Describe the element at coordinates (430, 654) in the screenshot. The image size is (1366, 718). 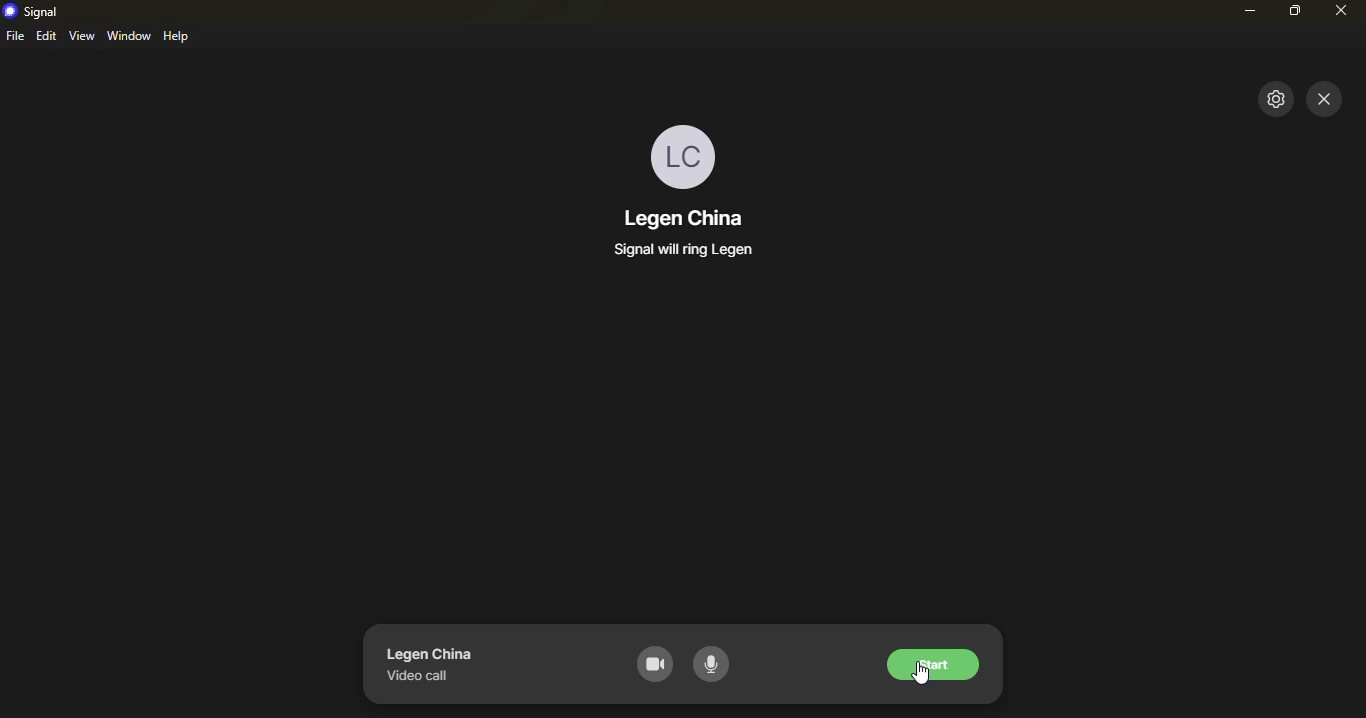
I see `Legen China` at that location.